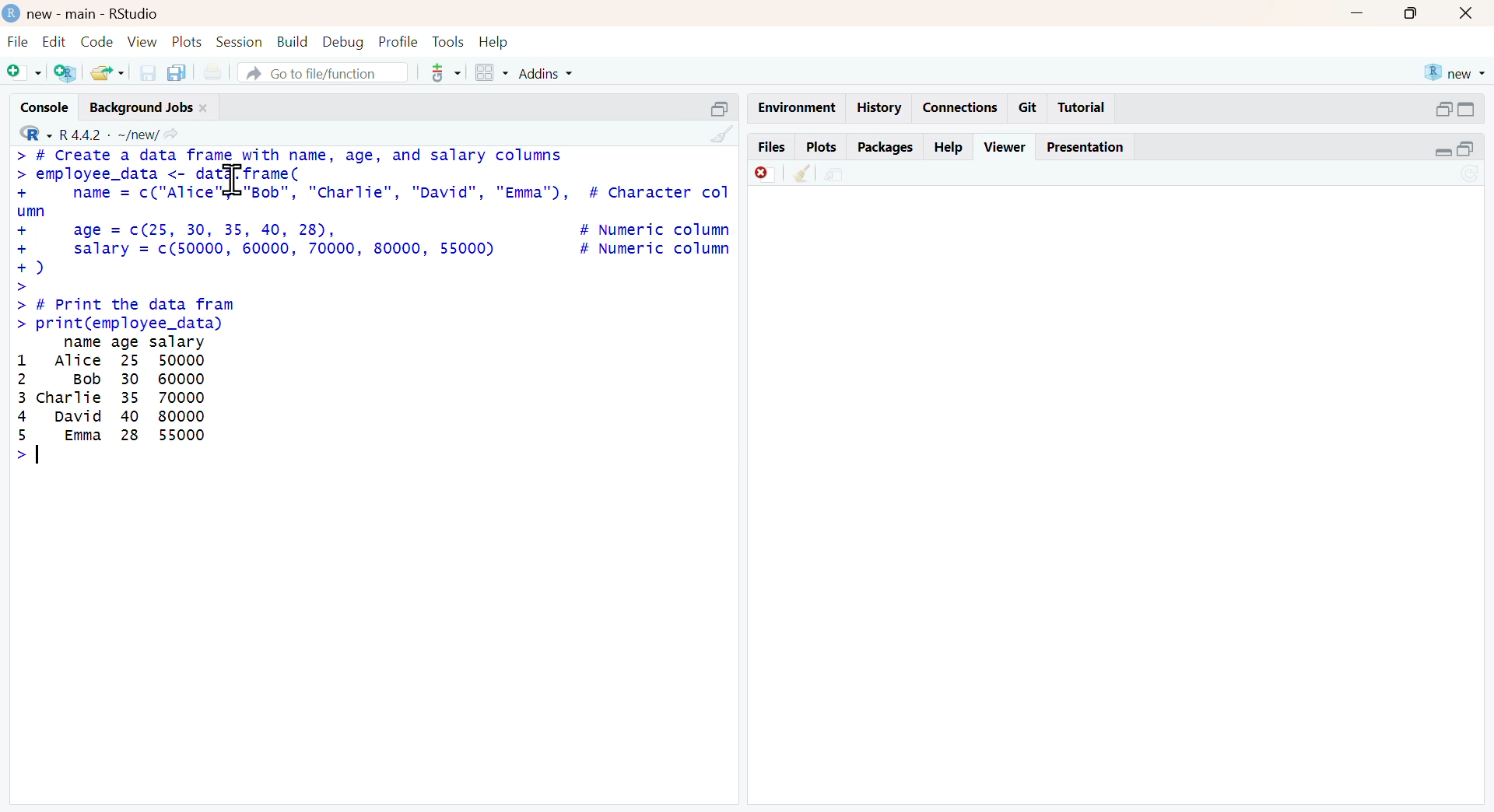  Describe the element at coordinates (398, 42) in the screenshot. I see `Profile` at that location.